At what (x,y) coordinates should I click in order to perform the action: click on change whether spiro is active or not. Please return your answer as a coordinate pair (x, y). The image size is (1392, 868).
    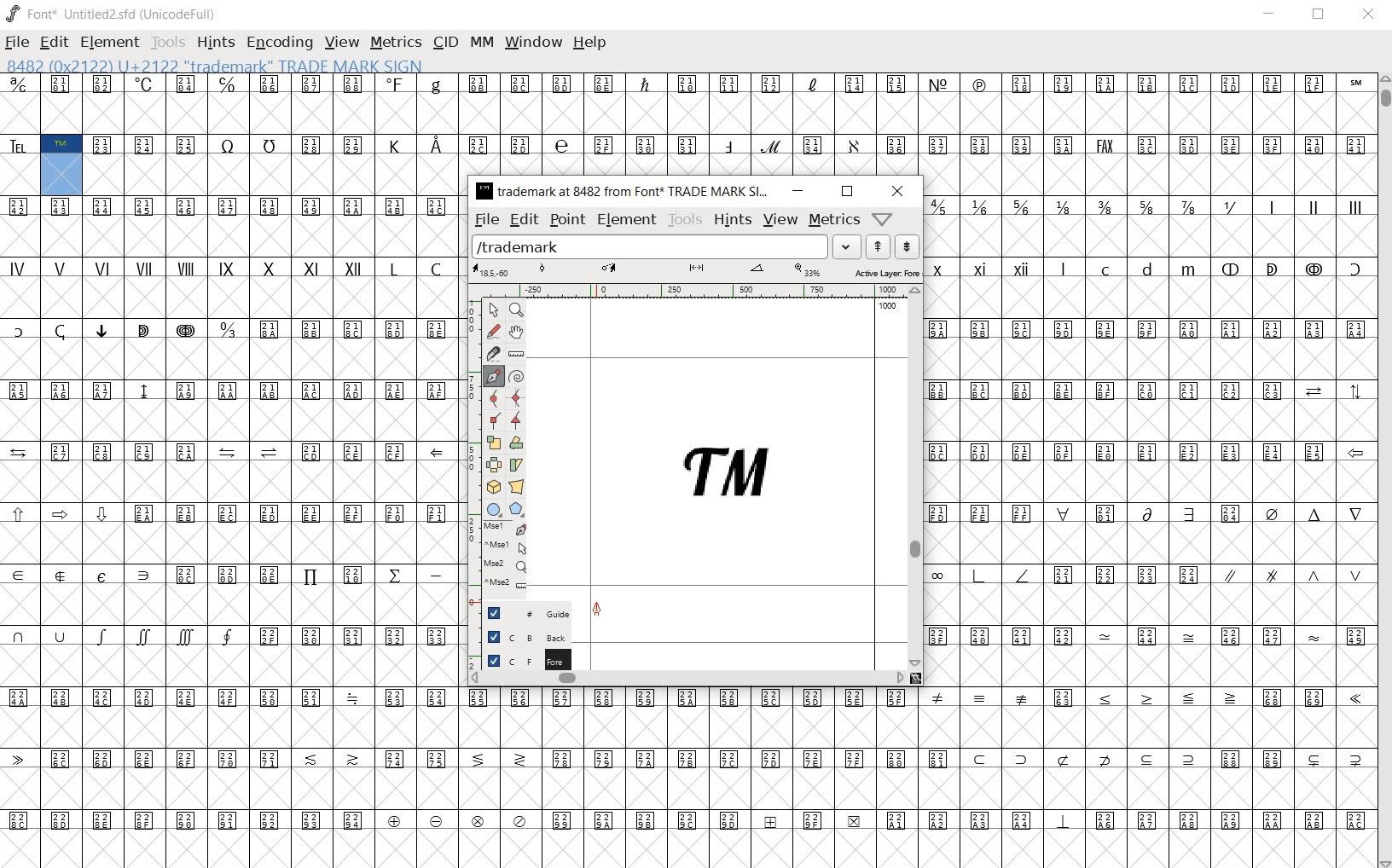
    Looking at the image, I should click on (515, 376).